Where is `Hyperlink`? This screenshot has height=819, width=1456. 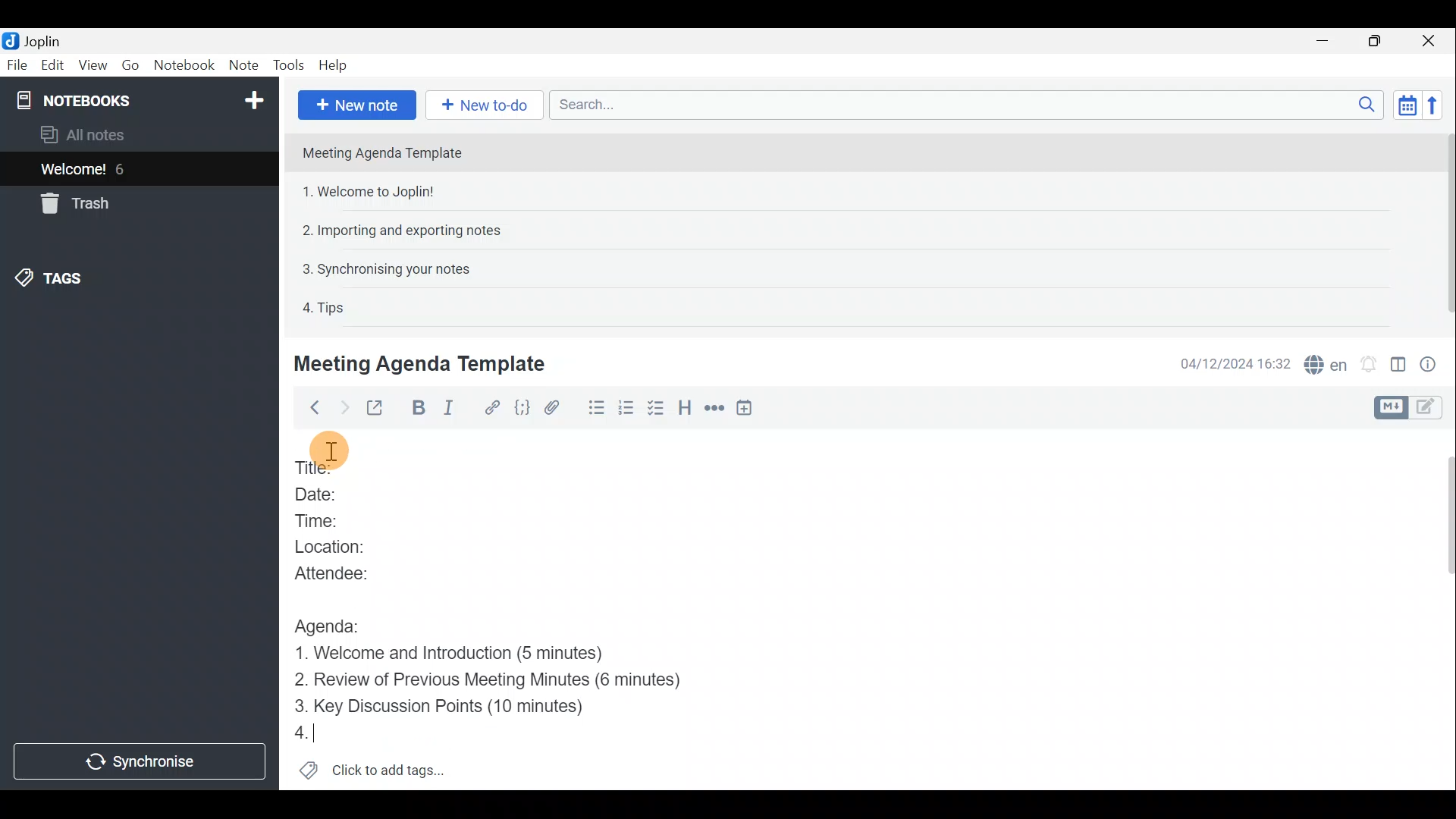 Hyperlink is located at coordinates (494, 407).